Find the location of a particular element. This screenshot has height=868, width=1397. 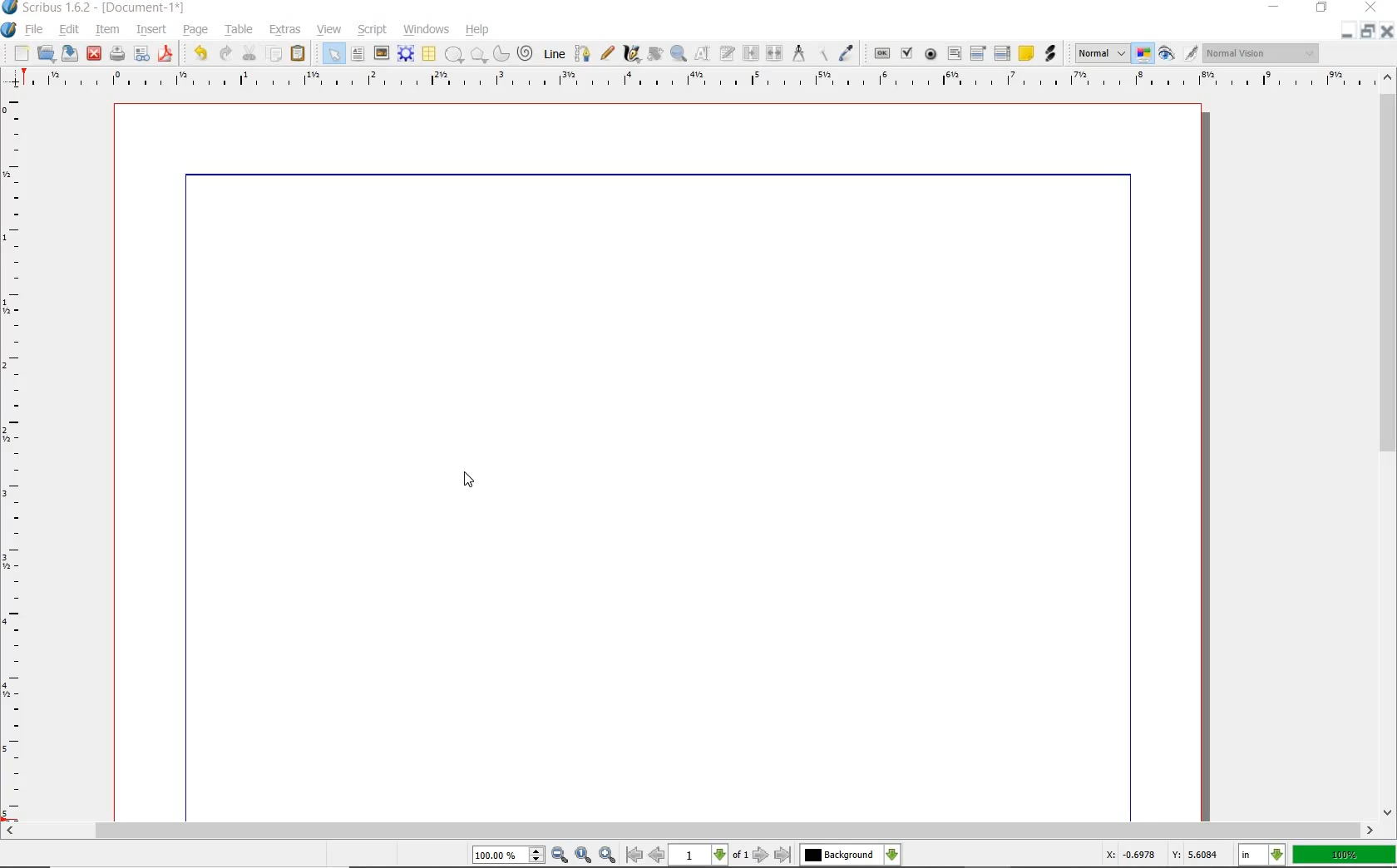

SCRIPT is located at coordinates (370, 28).